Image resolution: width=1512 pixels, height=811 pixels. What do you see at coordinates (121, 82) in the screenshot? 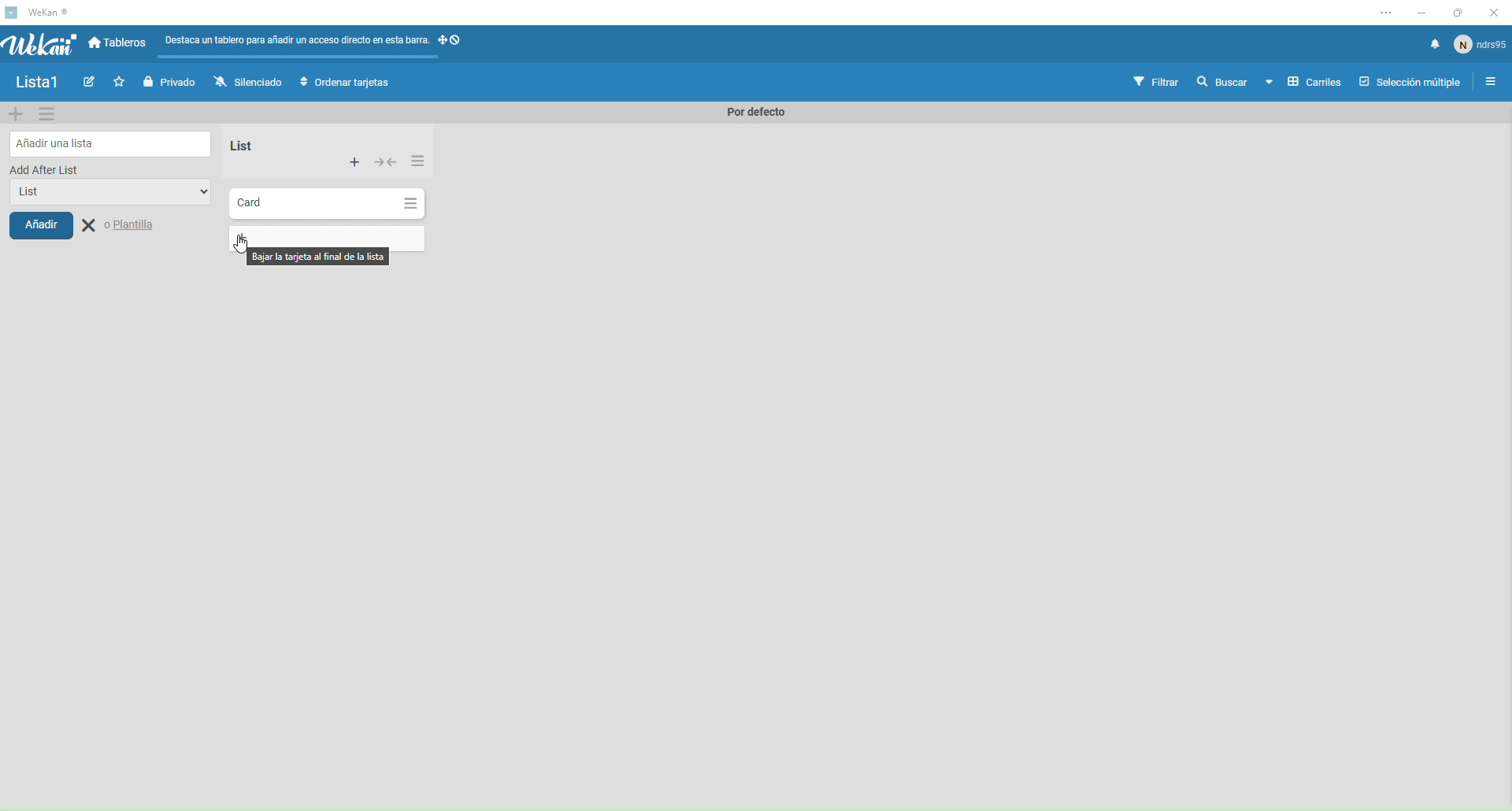
I see `Favourites` at bounding box center [121, 82].